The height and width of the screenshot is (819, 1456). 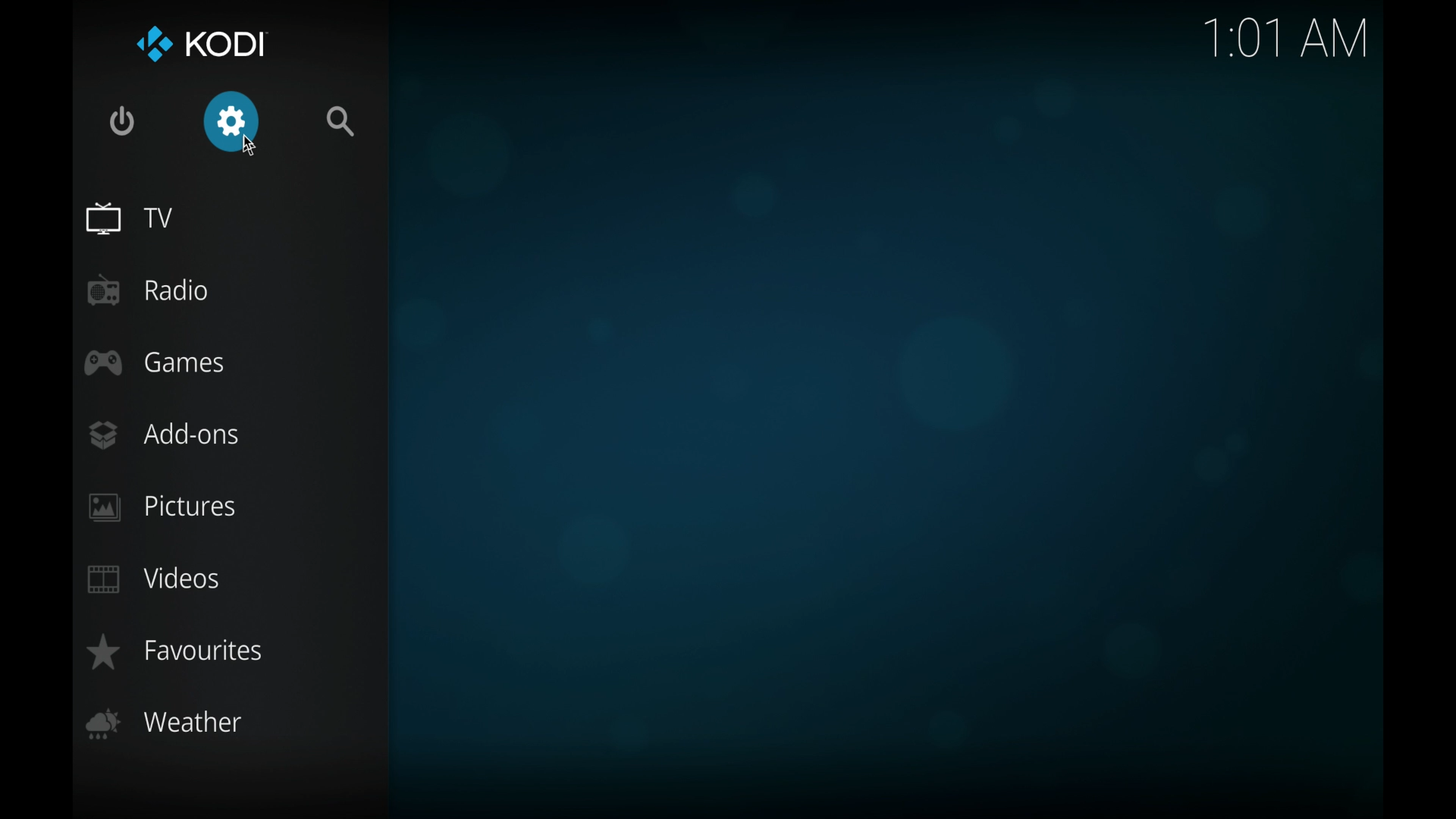 I want to click on tv, so click(x=129, y=218).